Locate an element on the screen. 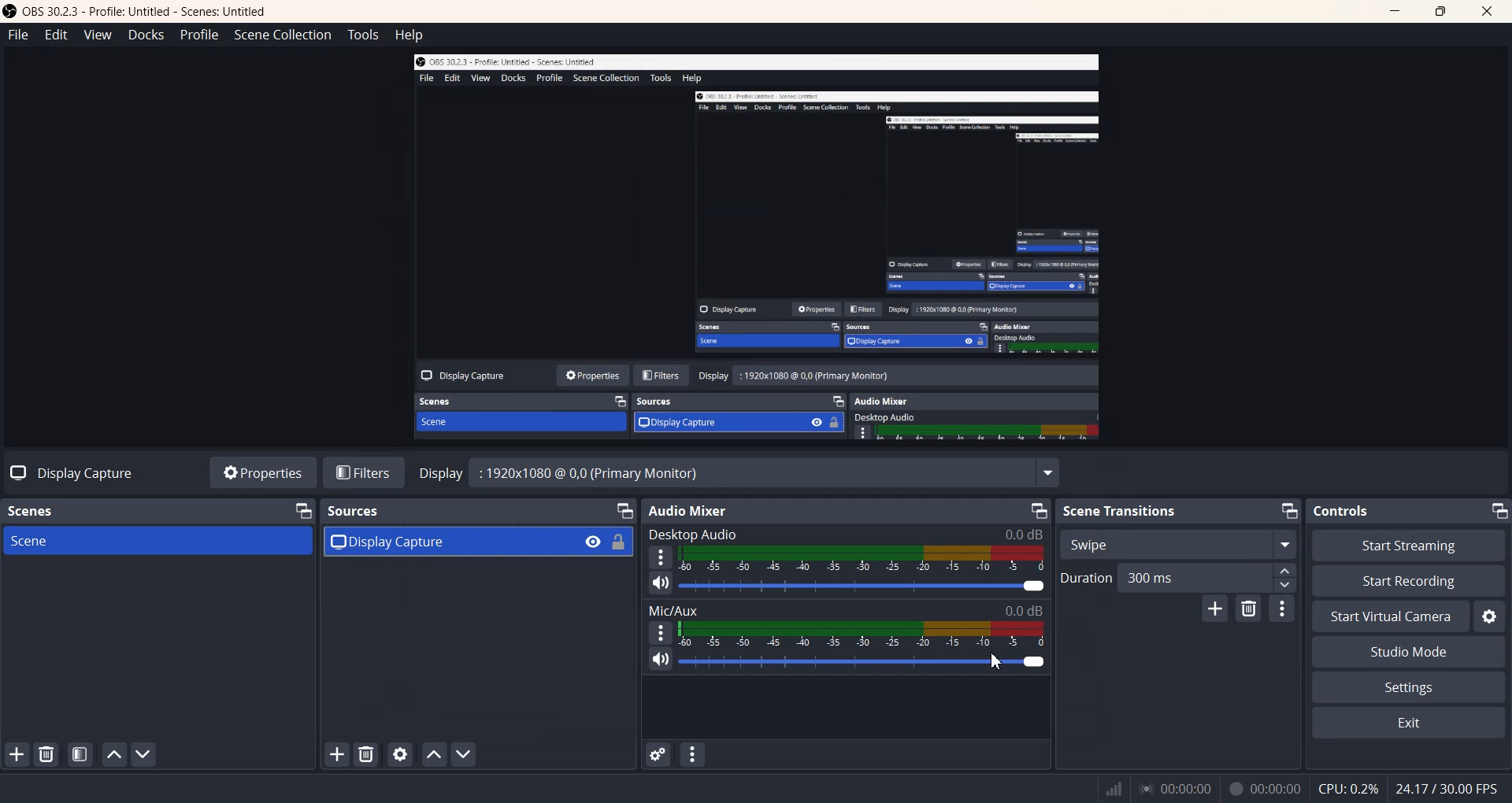 This screenshot has width=1512, height=803. Mute/ Unmute is located at coordinates (660, 583).